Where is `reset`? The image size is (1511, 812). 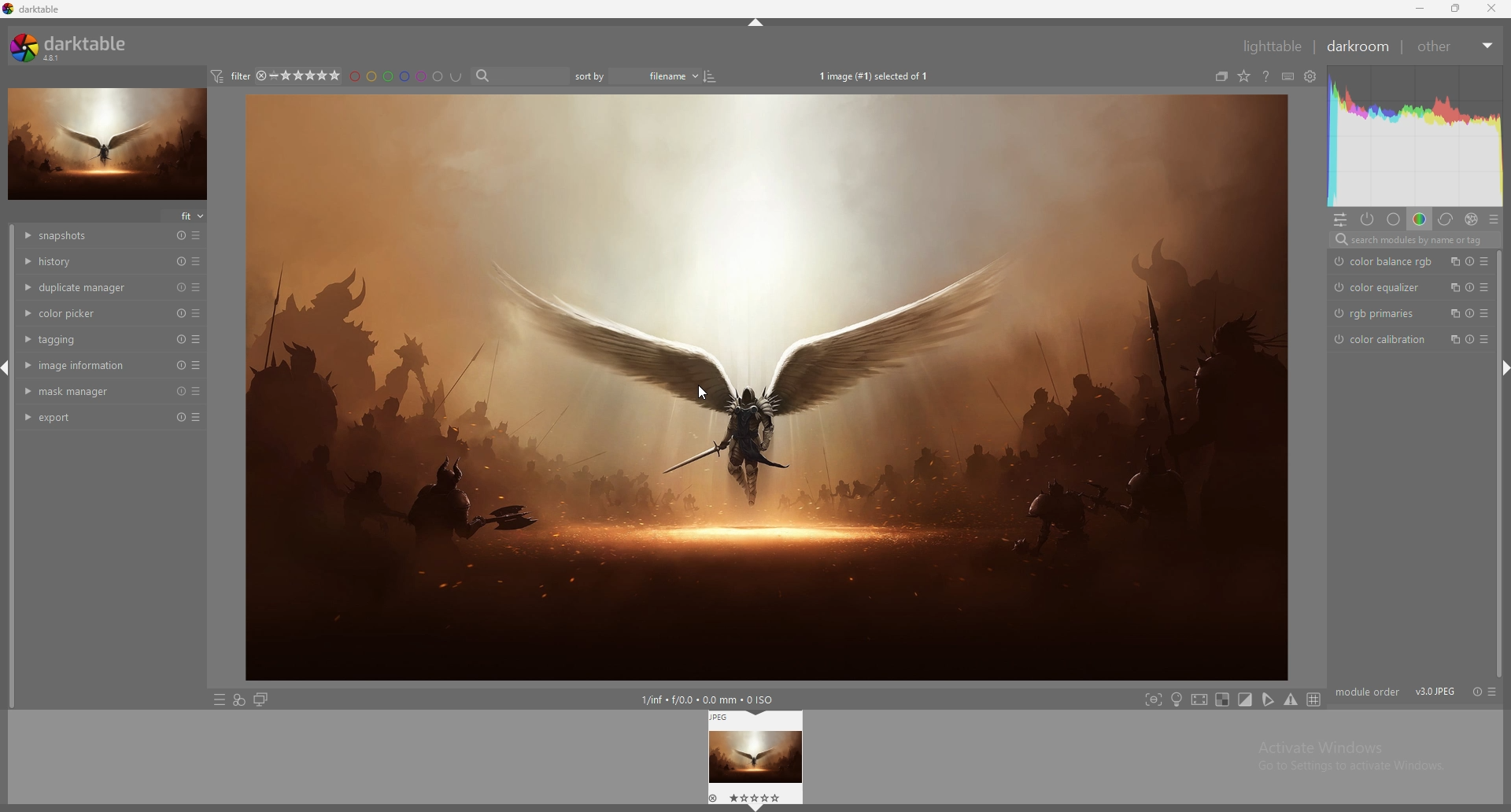
reset is located at coordinates (1470, 261).